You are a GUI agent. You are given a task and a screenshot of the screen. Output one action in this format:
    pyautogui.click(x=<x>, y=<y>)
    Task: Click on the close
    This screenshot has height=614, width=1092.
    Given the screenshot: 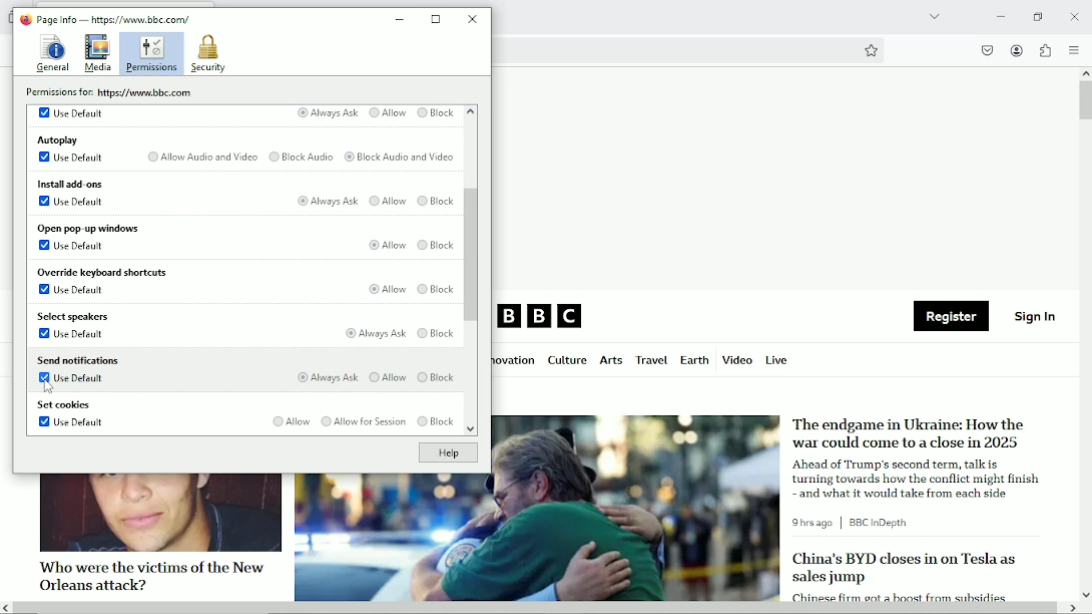 What is the action you would take?
    pyautogui.click(x=474, y=18)
    